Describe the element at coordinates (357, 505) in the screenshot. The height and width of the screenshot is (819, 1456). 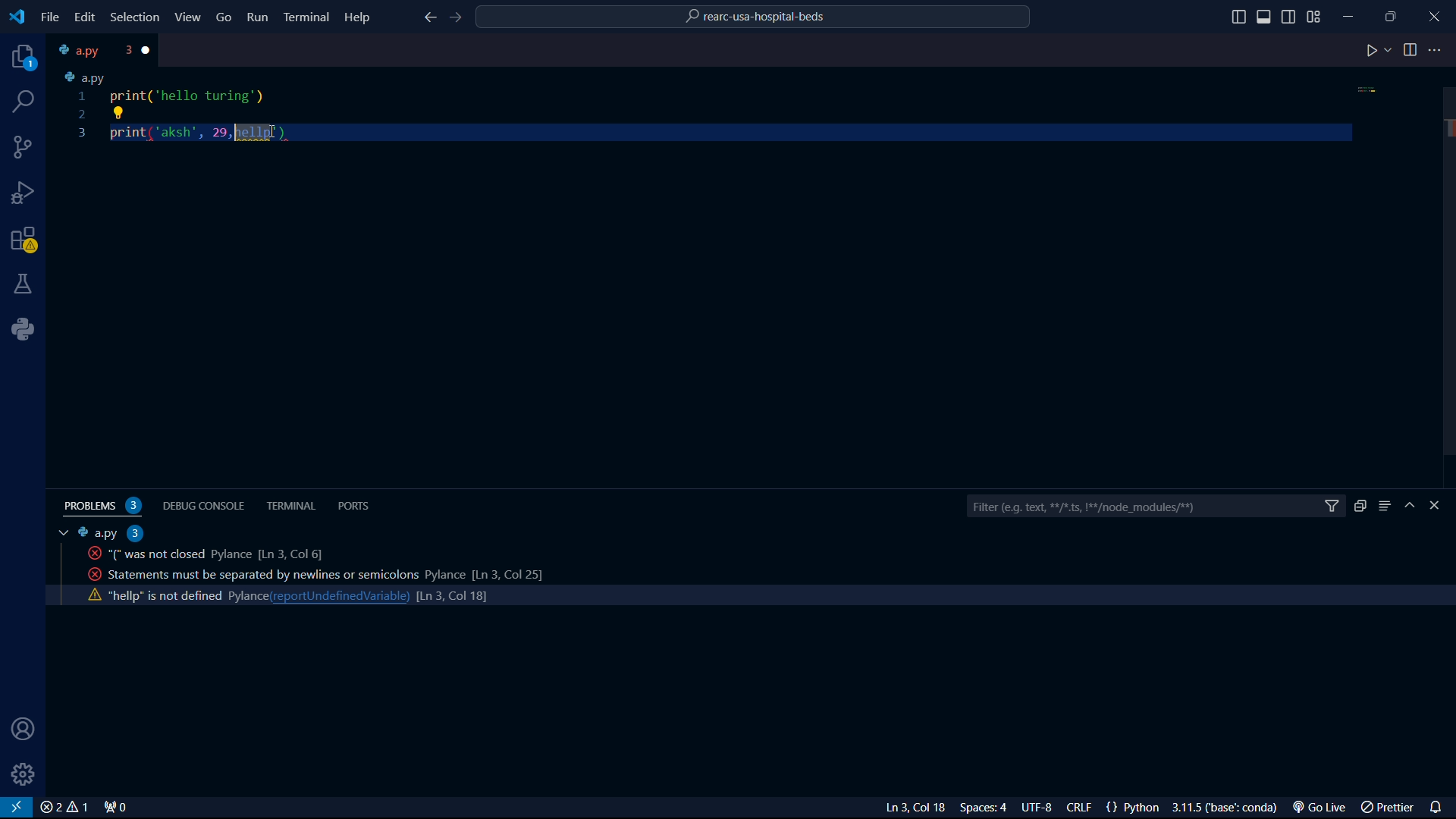
I see `ports` at that location.